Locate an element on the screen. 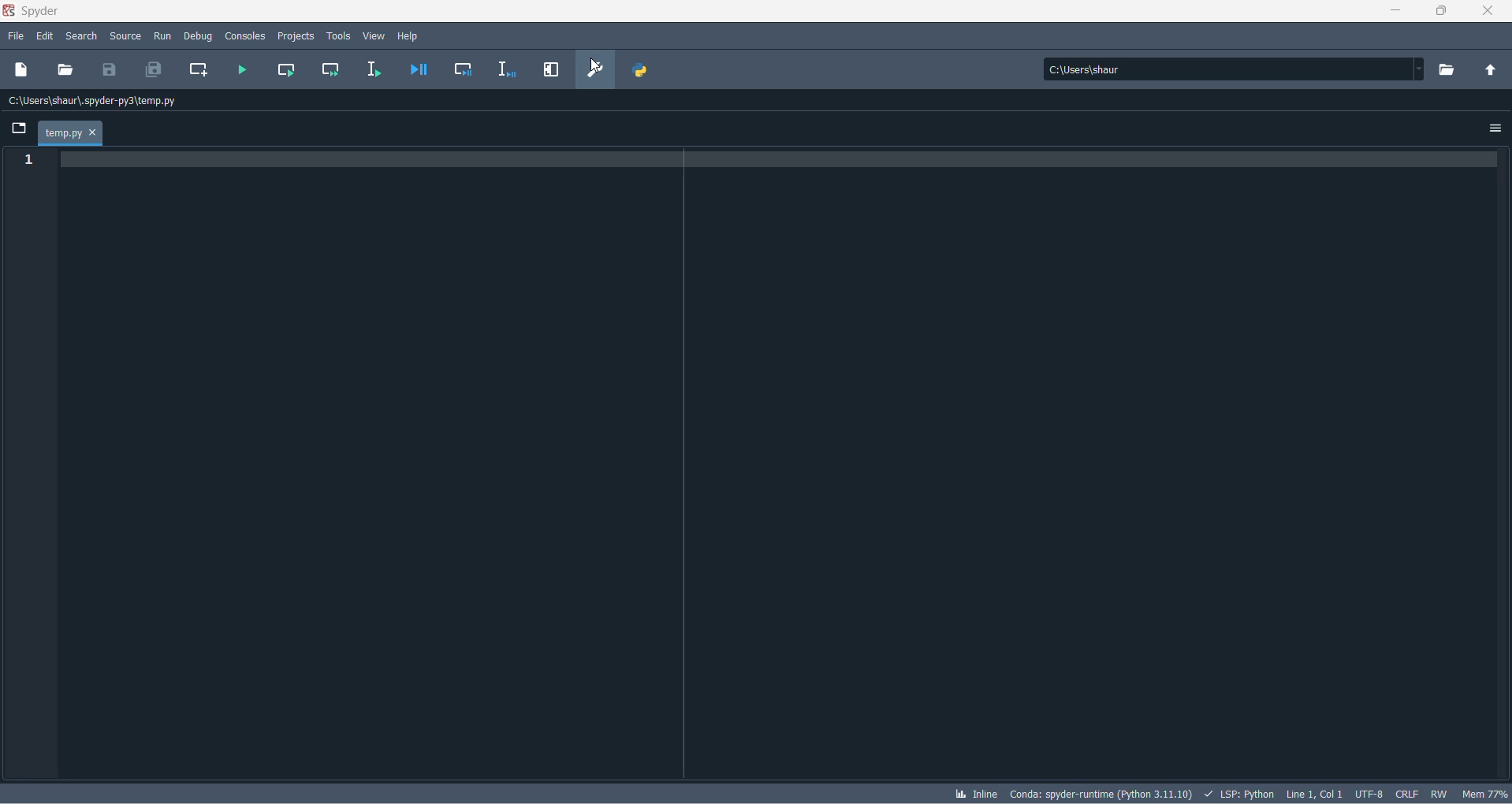 The height and width of the screenshot is (804, 1512). file control is located at coordinates (1443, 793).